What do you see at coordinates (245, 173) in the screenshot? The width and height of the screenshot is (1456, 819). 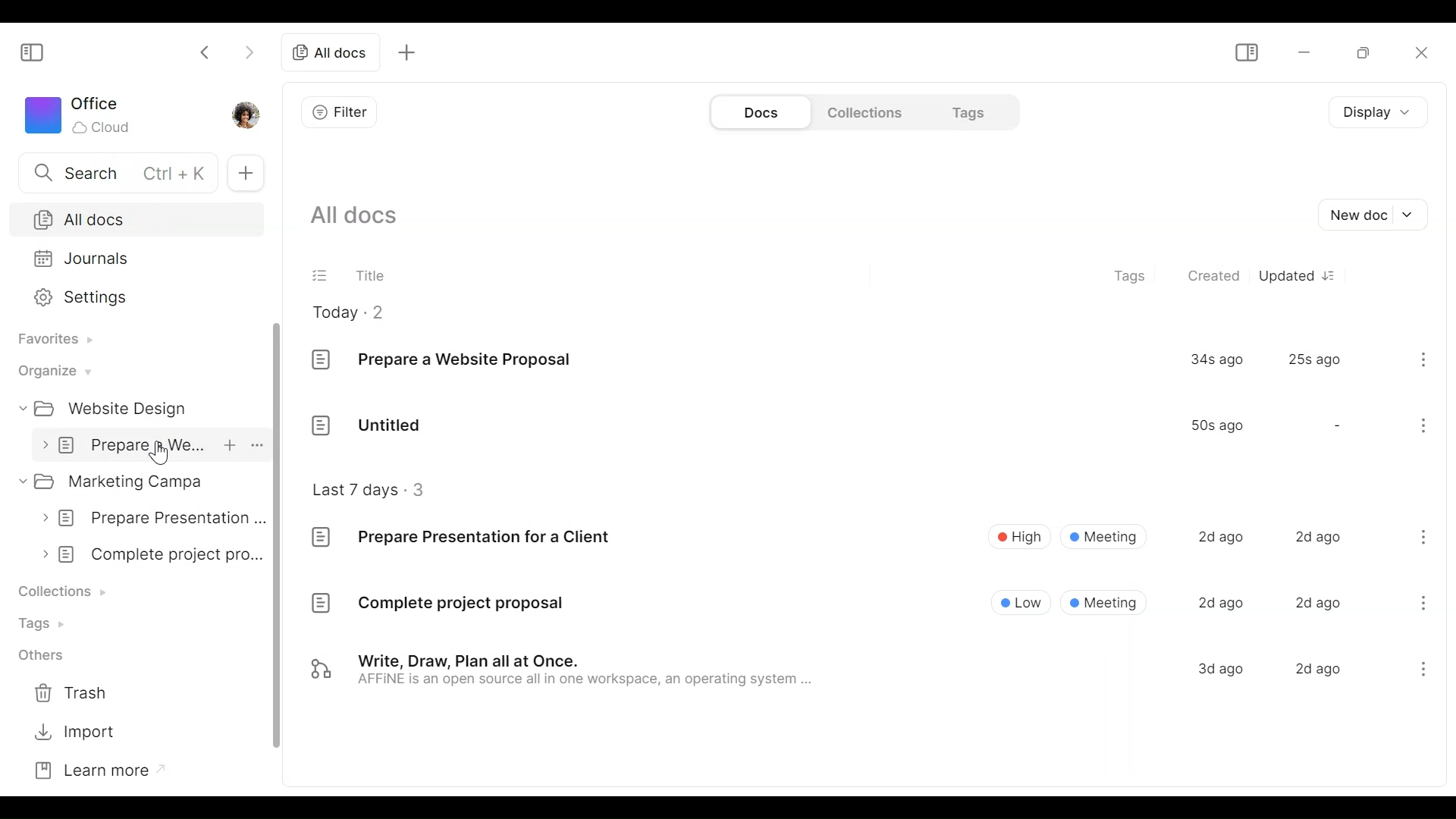 I see `New` at bounding box center [245, 173].